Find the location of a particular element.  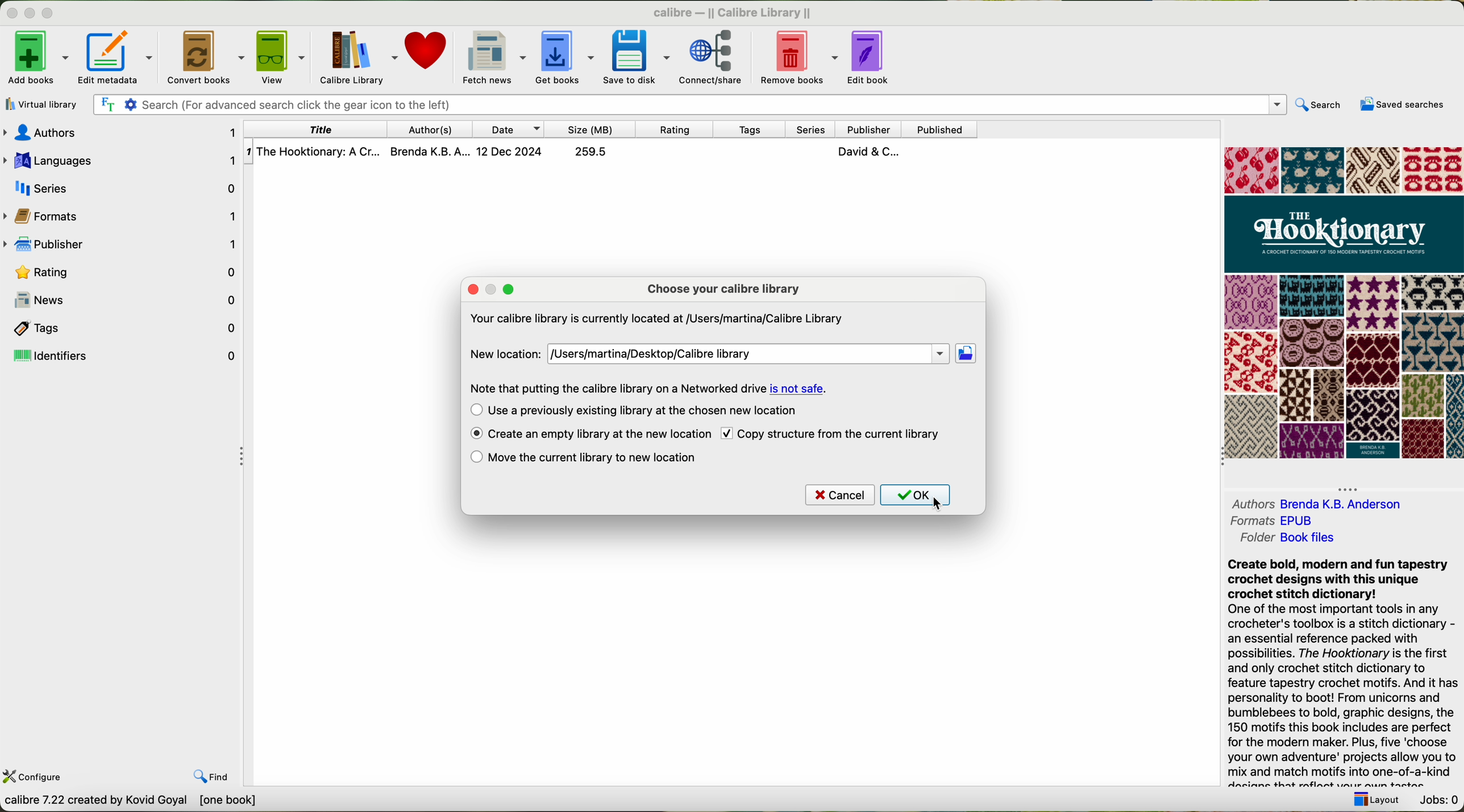

cursor is located at coordinates (937, 509).